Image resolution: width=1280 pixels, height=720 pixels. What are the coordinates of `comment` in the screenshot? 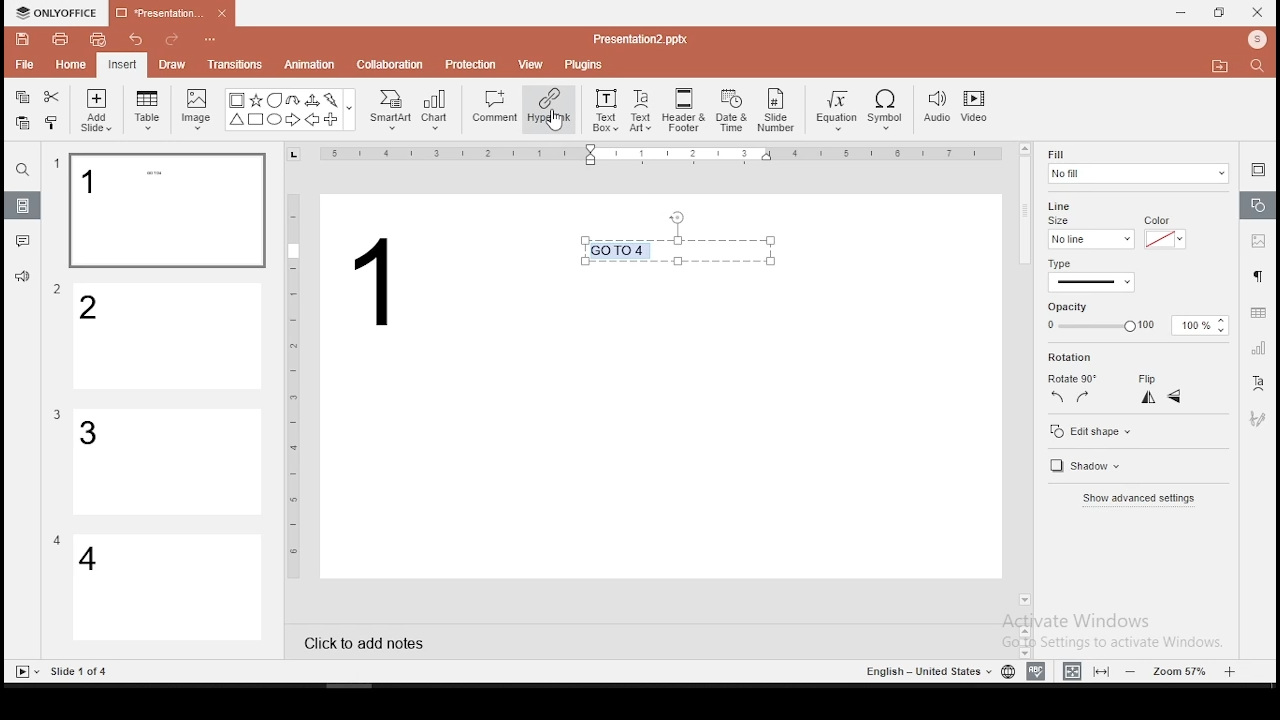 It's located at (495, 107).